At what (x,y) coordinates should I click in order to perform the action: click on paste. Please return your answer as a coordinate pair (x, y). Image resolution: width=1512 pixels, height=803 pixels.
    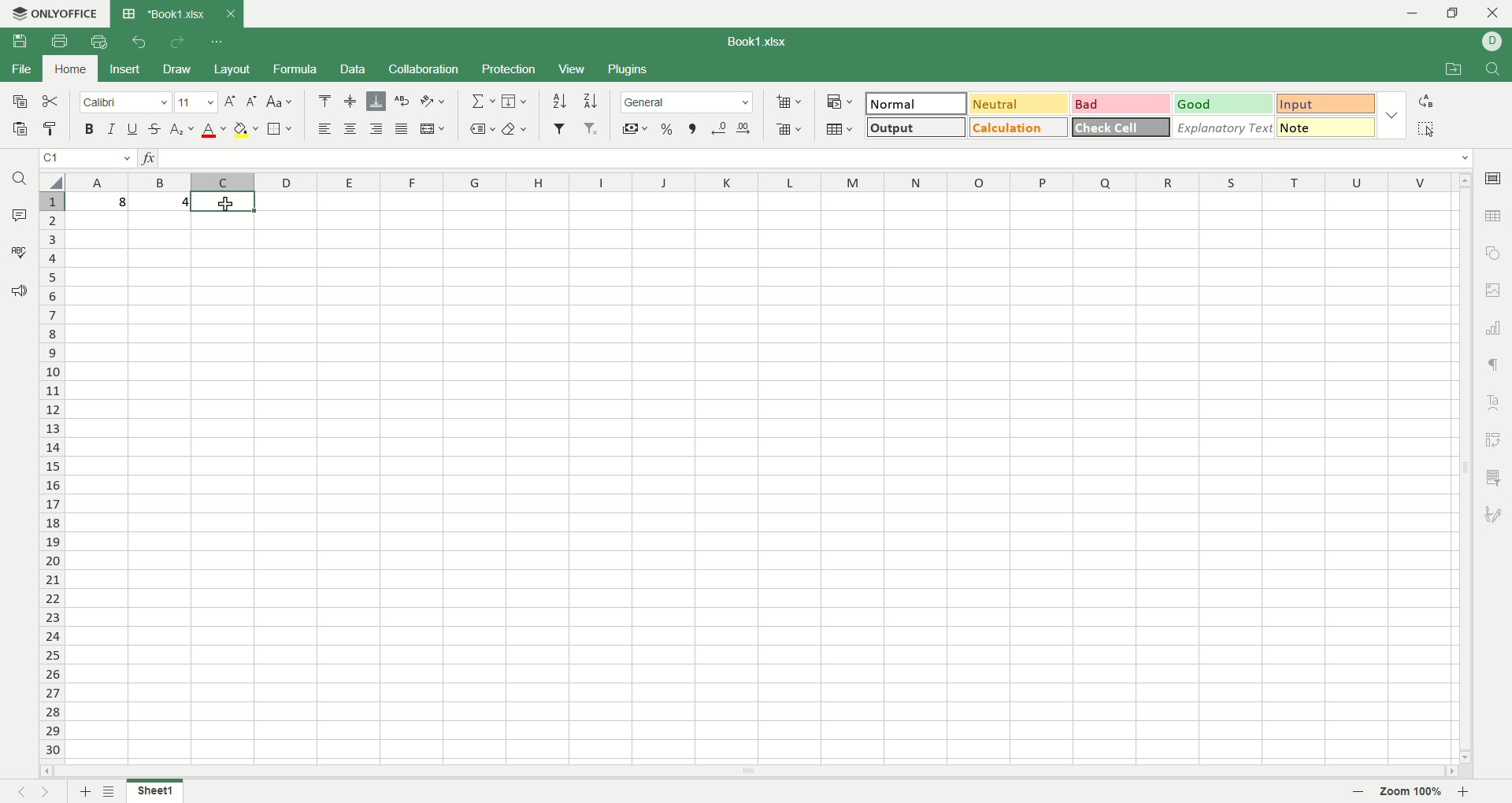
    Looking at the image, I should click on (20, 128).